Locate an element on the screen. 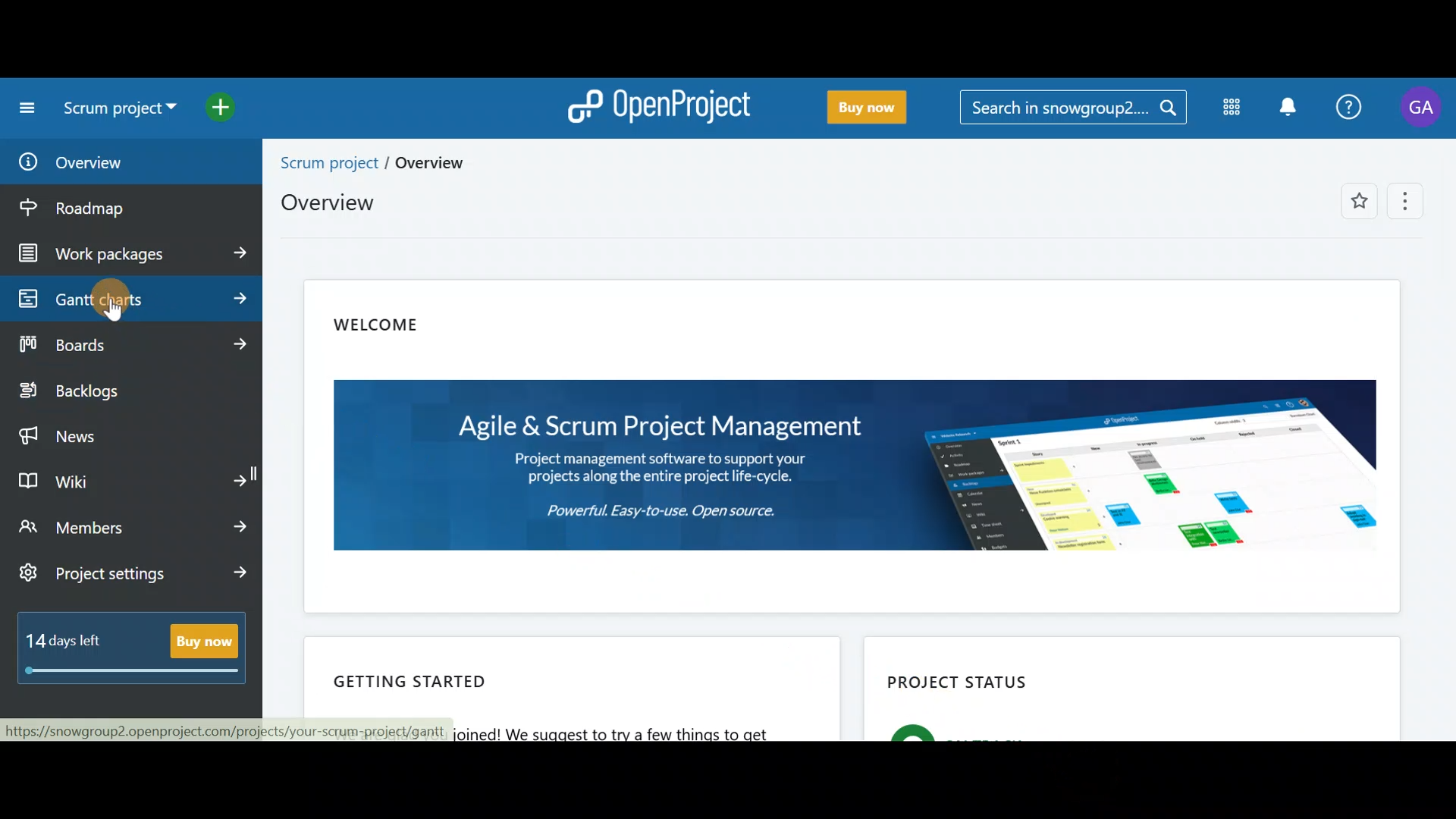  14 days left - Buy now is located at coordinates (132, 645).